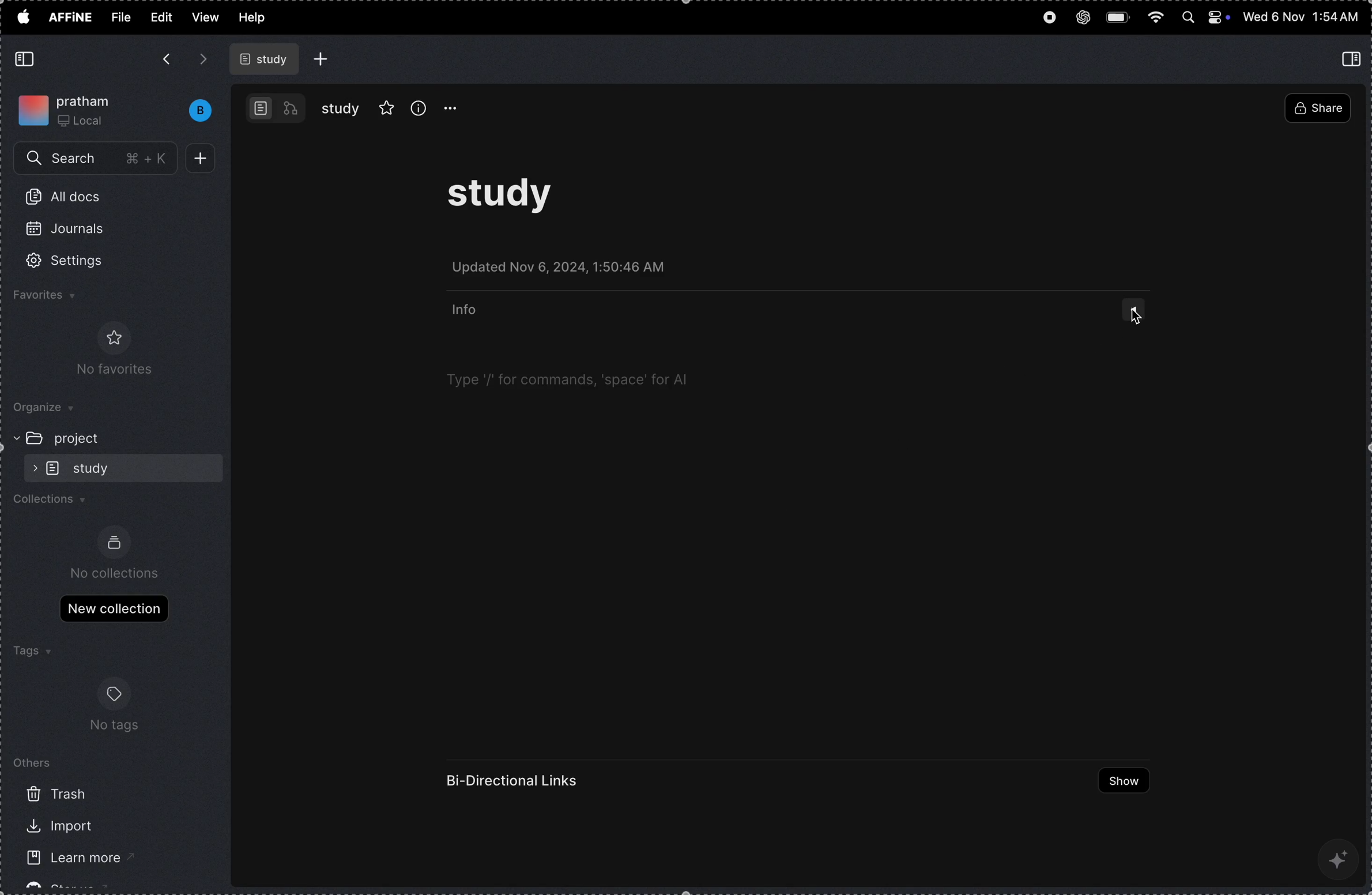  Describe the element at coordinates (419, 107) in the screenshot. I see `info` at that location.